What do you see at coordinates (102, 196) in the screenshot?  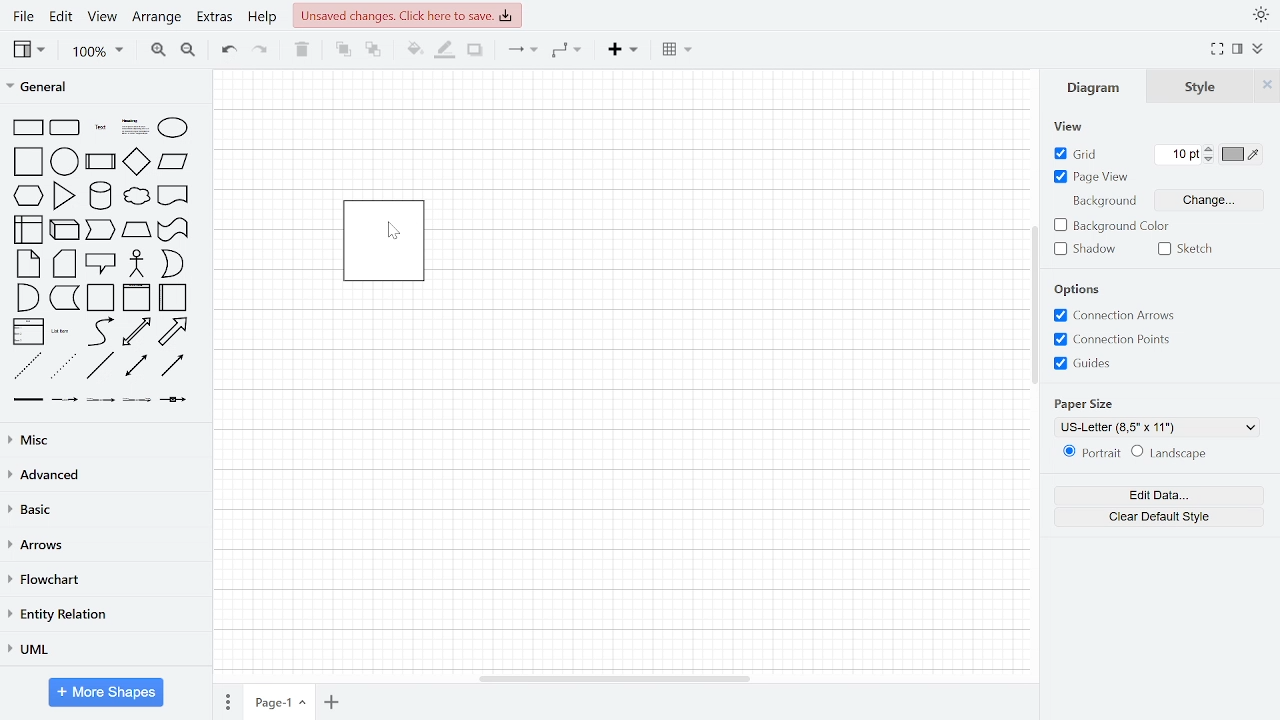 I see `cylinder` at bounding box center [102, 196].